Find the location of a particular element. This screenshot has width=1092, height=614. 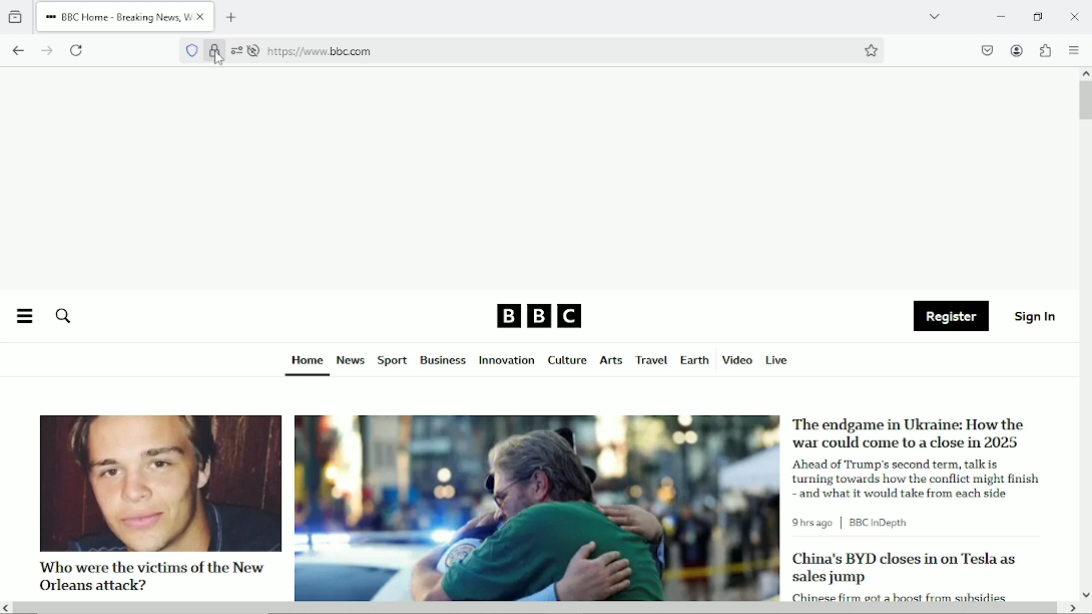

BBC Home - Breaking News, W is located at coordinates (117, 15).